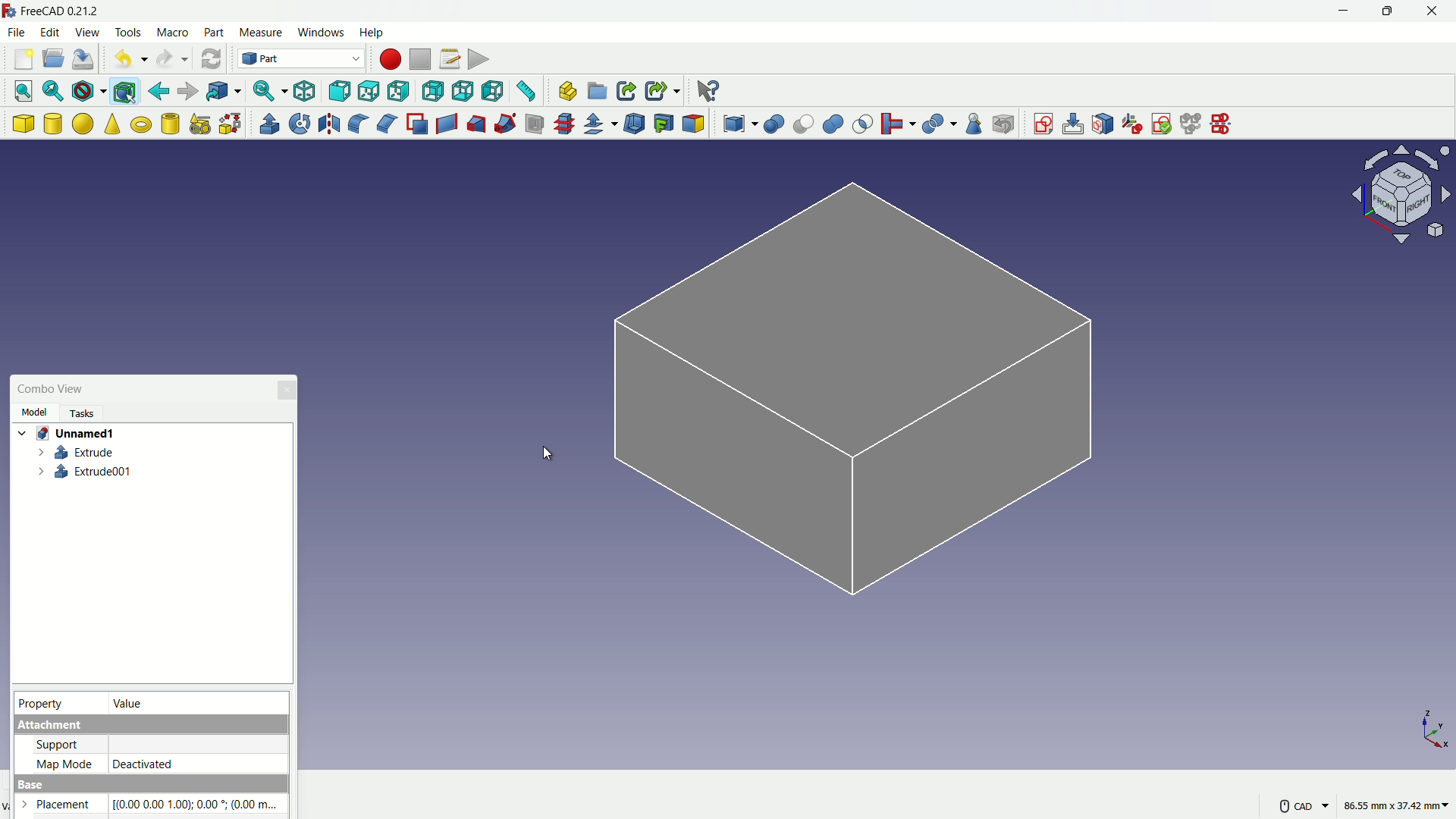 The image size is (1456, 819). Describe the element at coordinates (130, 704) in the screenshot. I see `value` at that location.